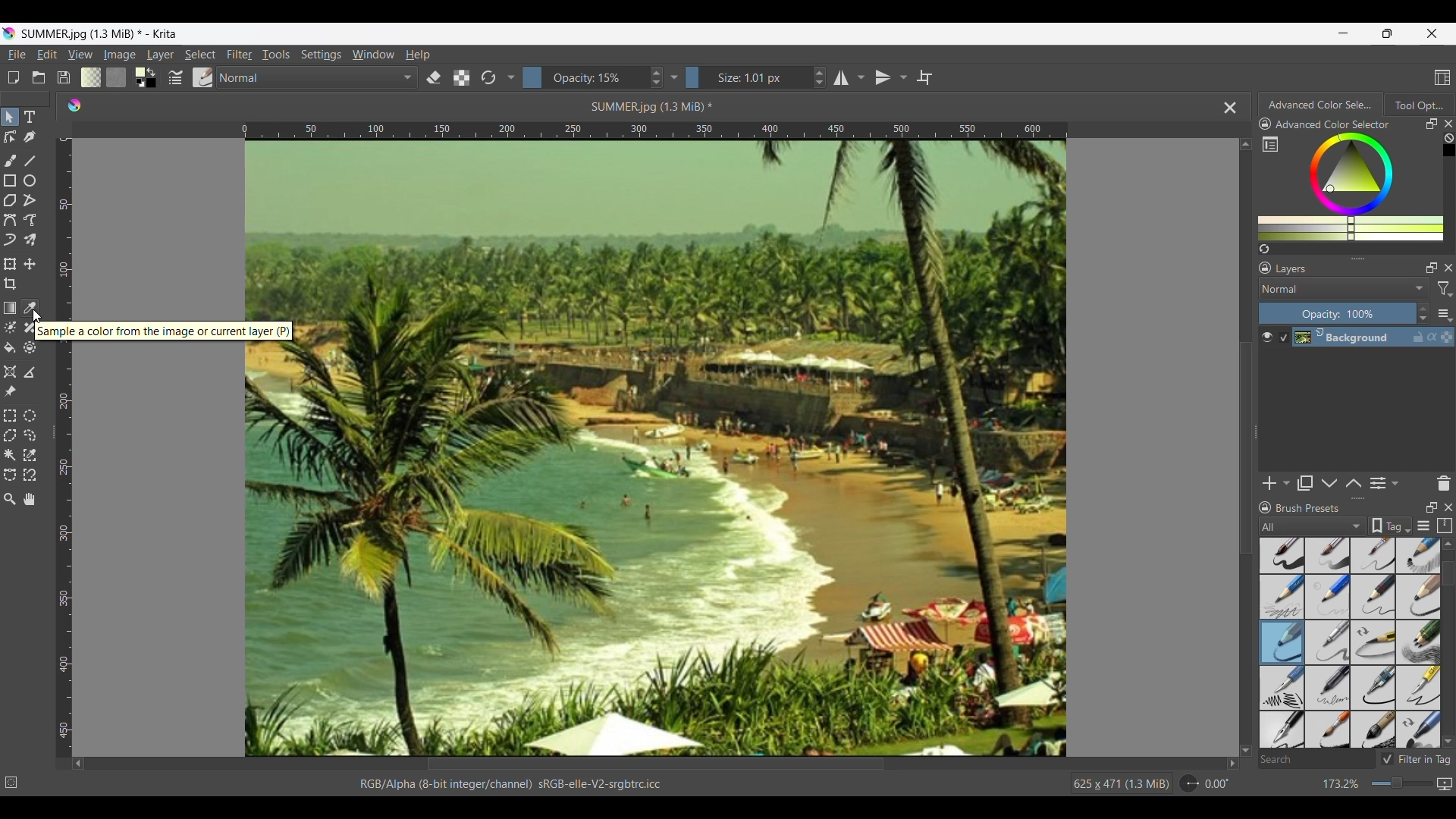  I want to click on Quick slide to left, so click(78, 764).